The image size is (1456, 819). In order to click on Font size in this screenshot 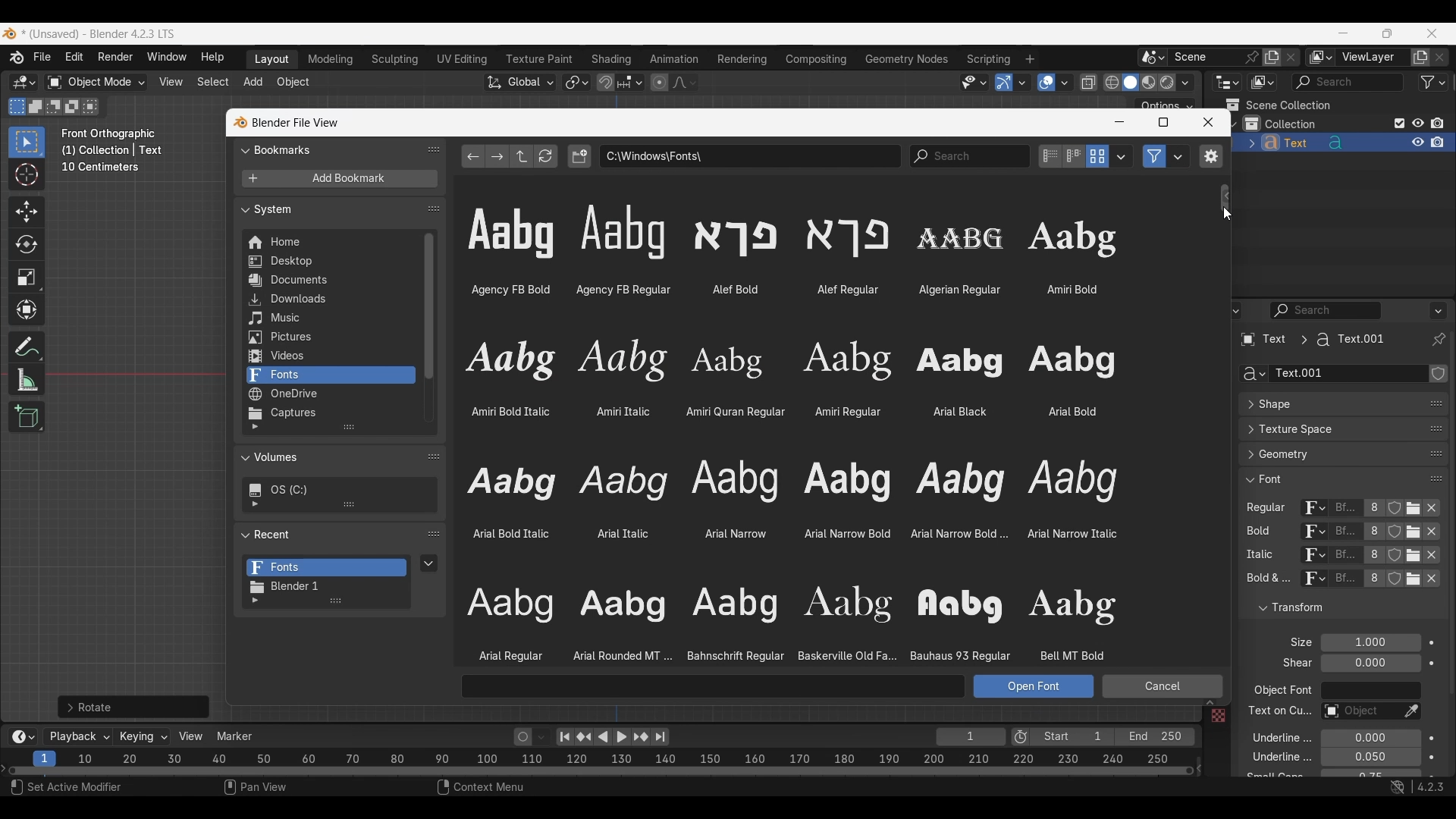, I will do `click(1372, 643)`.